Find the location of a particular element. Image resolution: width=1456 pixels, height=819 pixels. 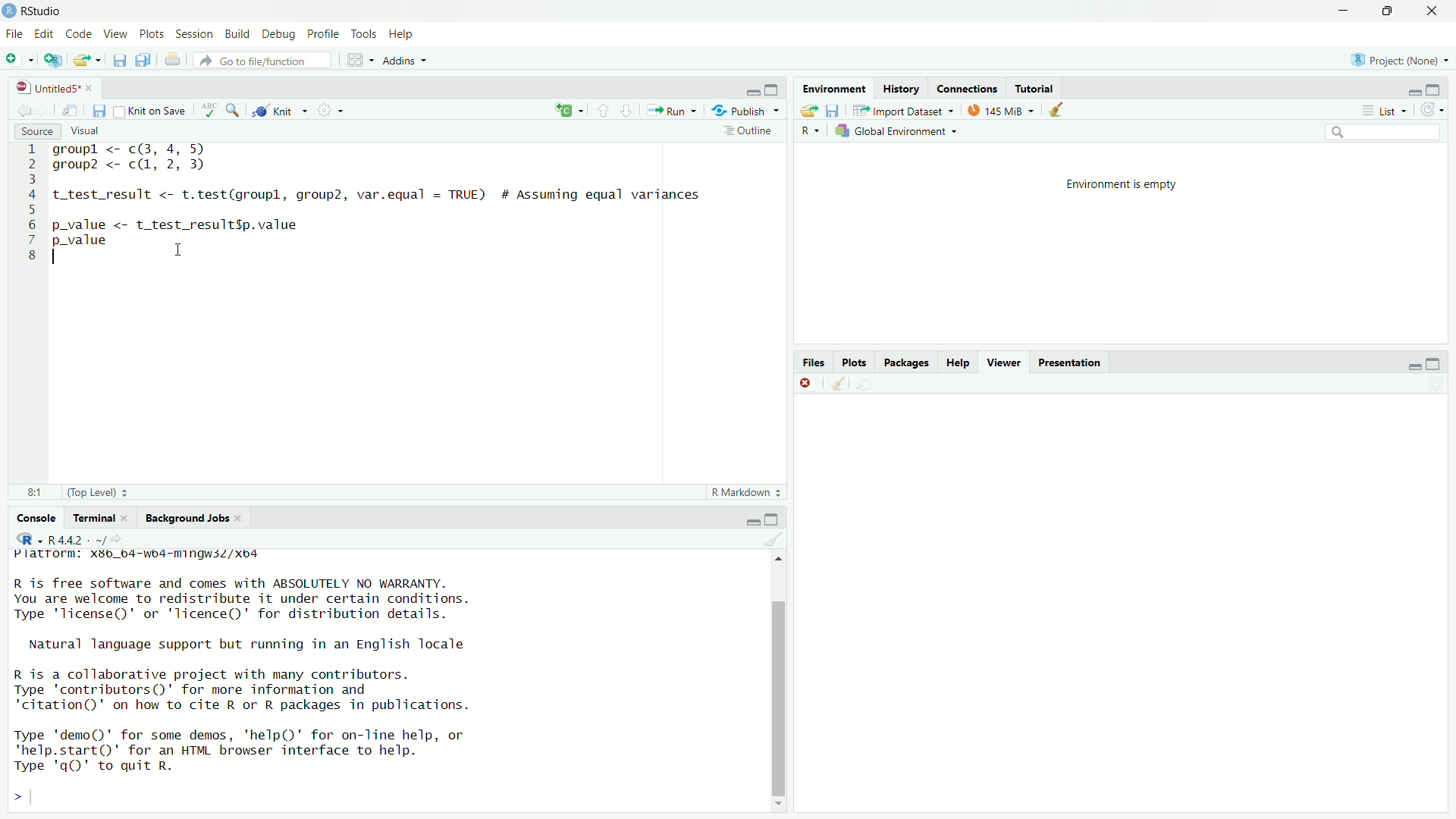

Plots is located at coordinates (855, 362).